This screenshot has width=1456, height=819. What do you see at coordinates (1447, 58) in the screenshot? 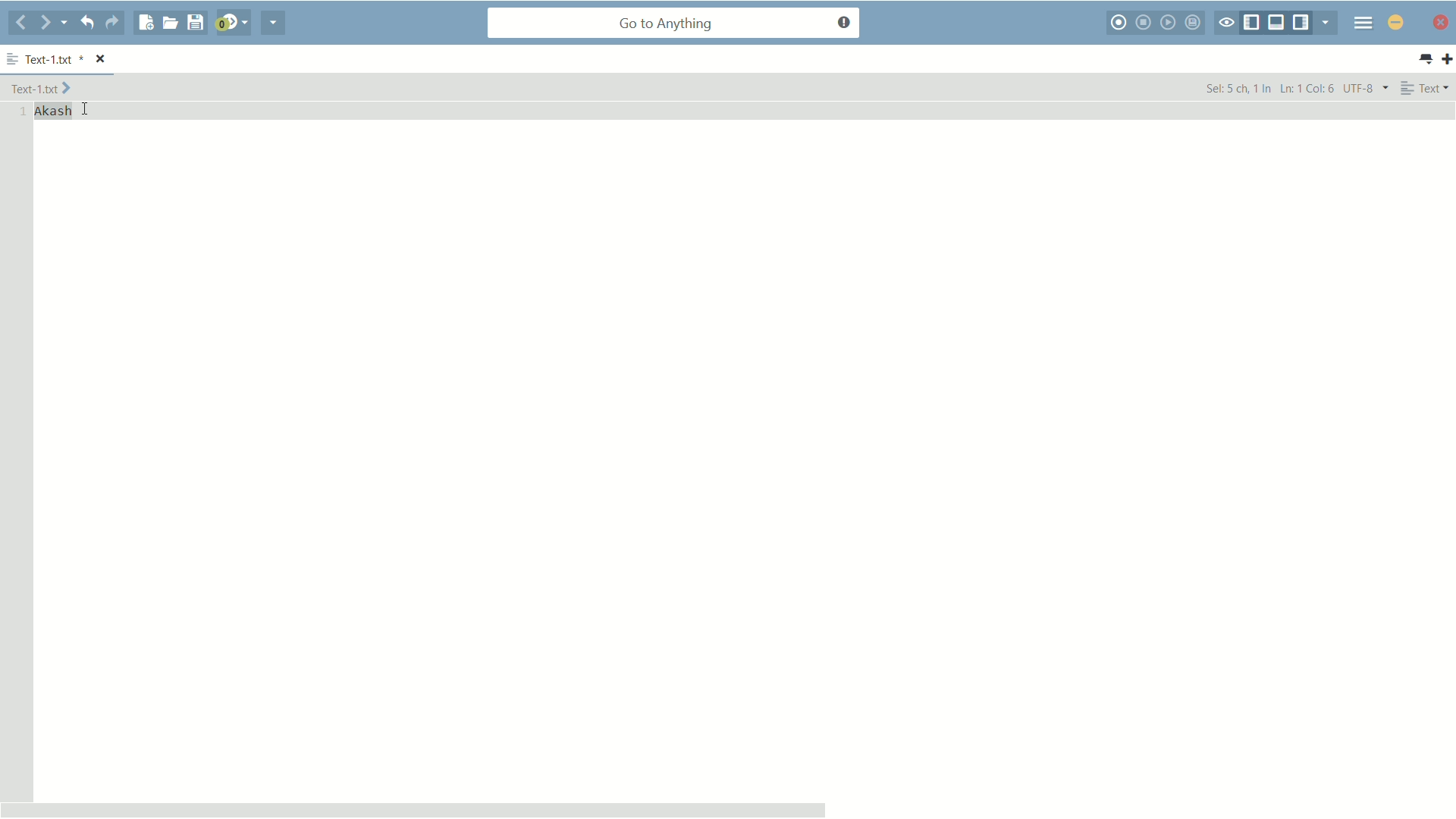
I see `new tab` at bounding box center [1447, 58].